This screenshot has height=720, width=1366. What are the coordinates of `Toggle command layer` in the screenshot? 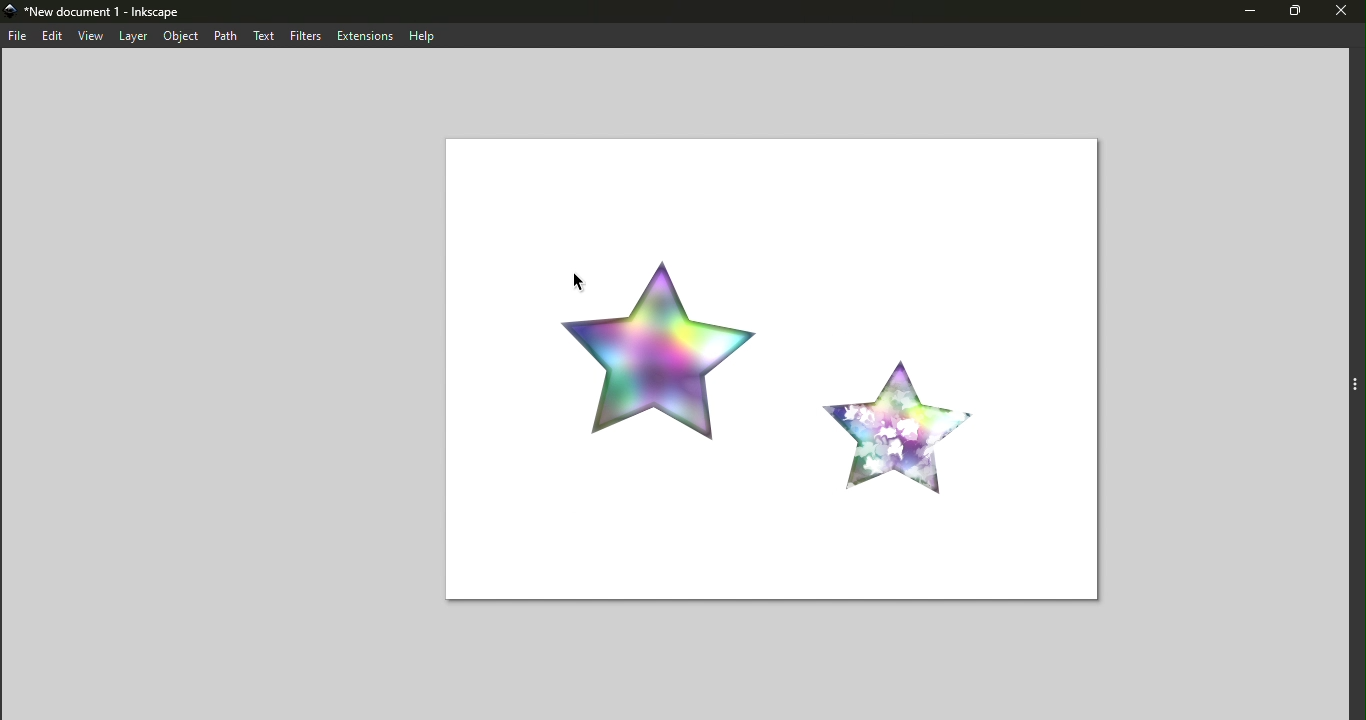 It's located at (1355, 381).